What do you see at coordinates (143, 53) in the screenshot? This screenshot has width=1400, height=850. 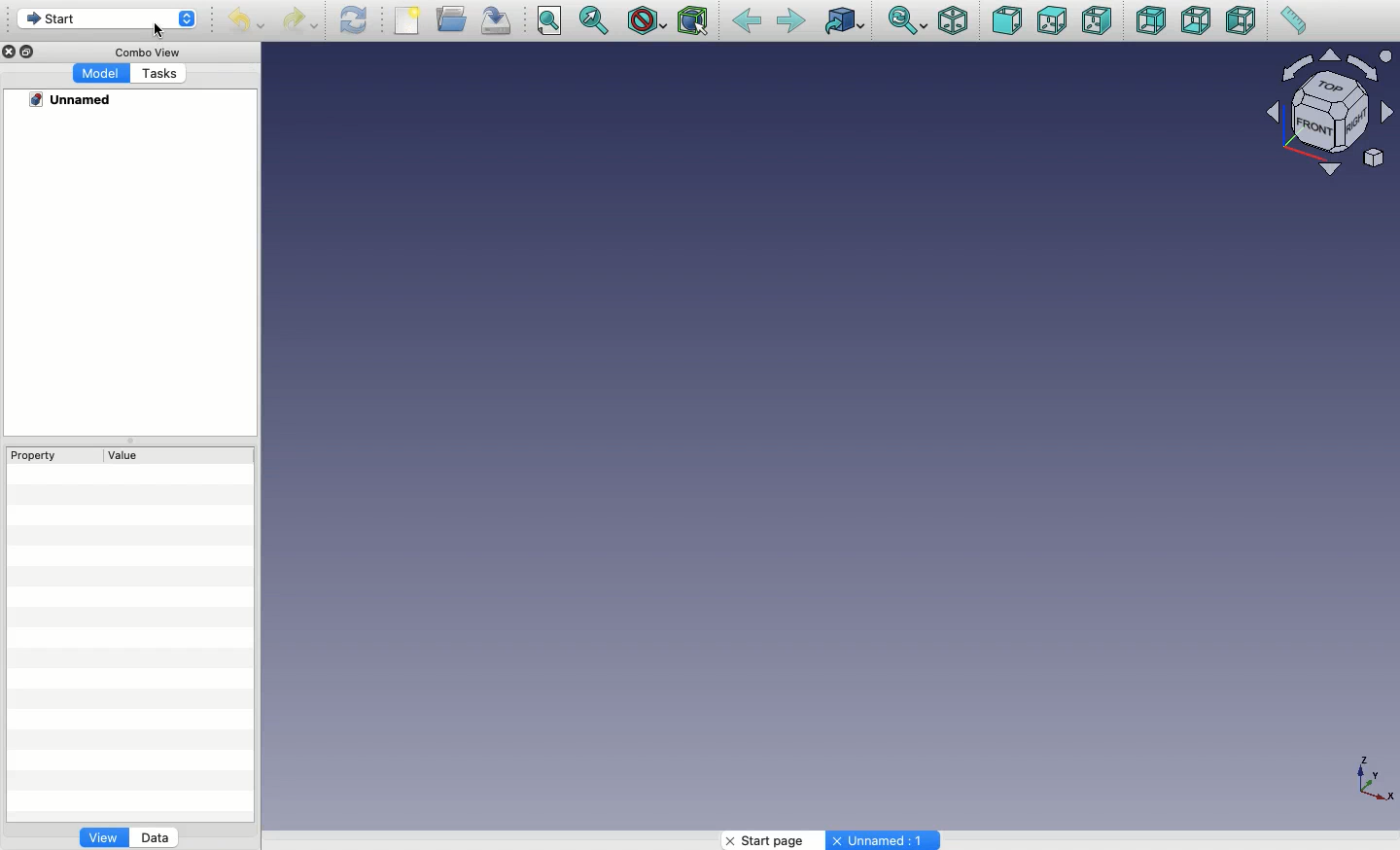 I see `Combo view` at bounding box center [143, 53].